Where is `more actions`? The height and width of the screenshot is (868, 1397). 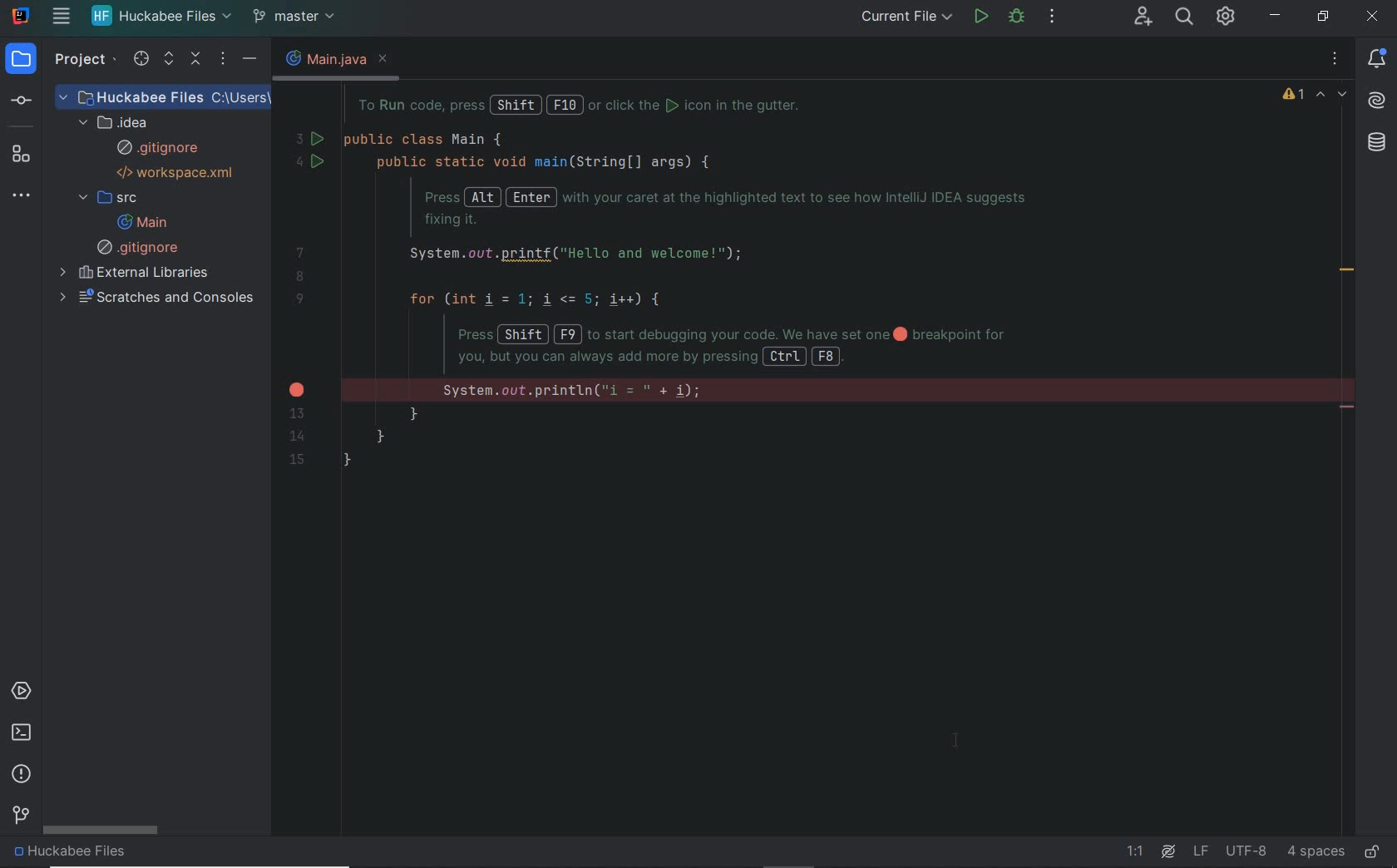 more actions is located at coordinates (1051, 17).